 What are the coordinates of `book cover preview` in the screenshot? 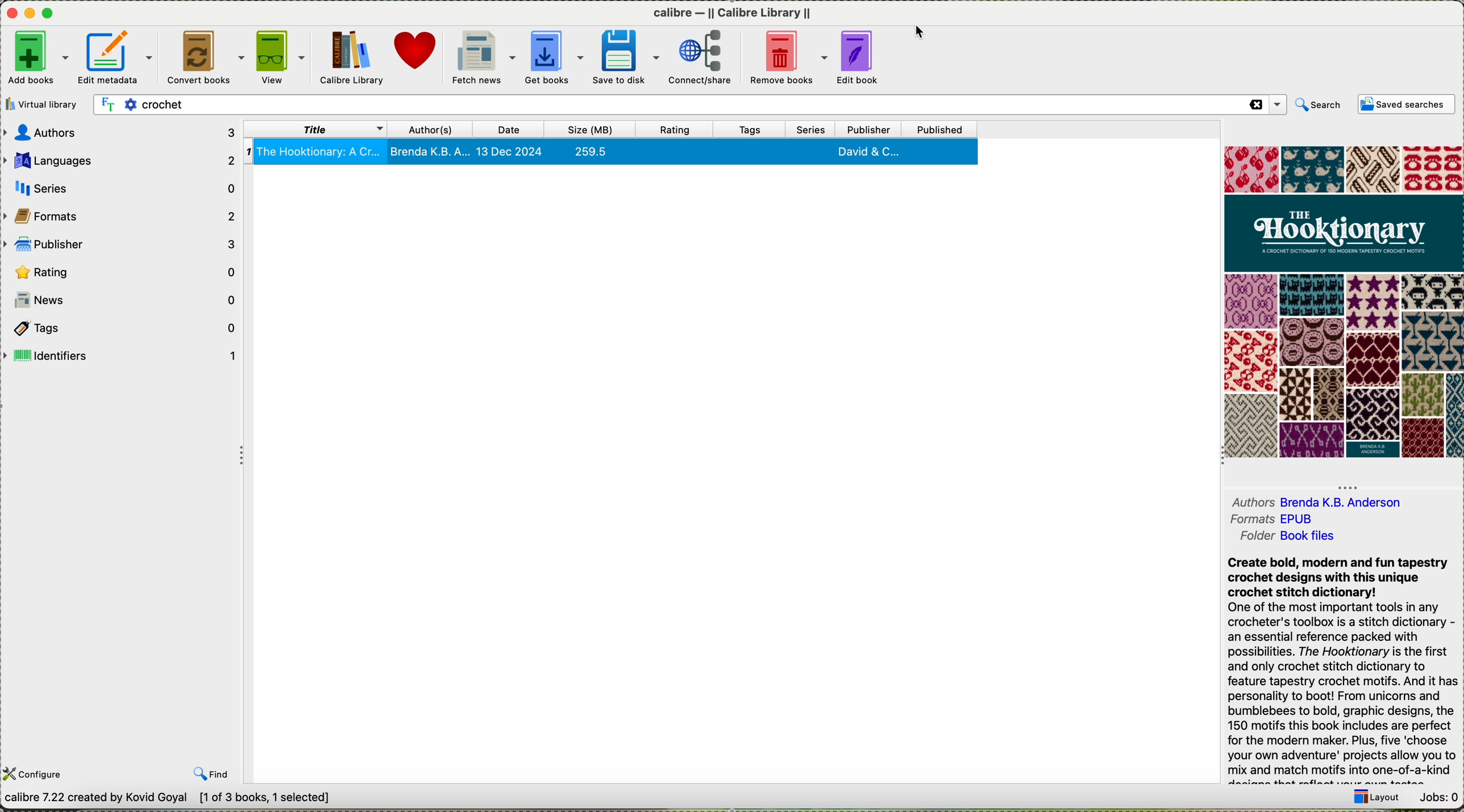 It's located at (1347, 301).